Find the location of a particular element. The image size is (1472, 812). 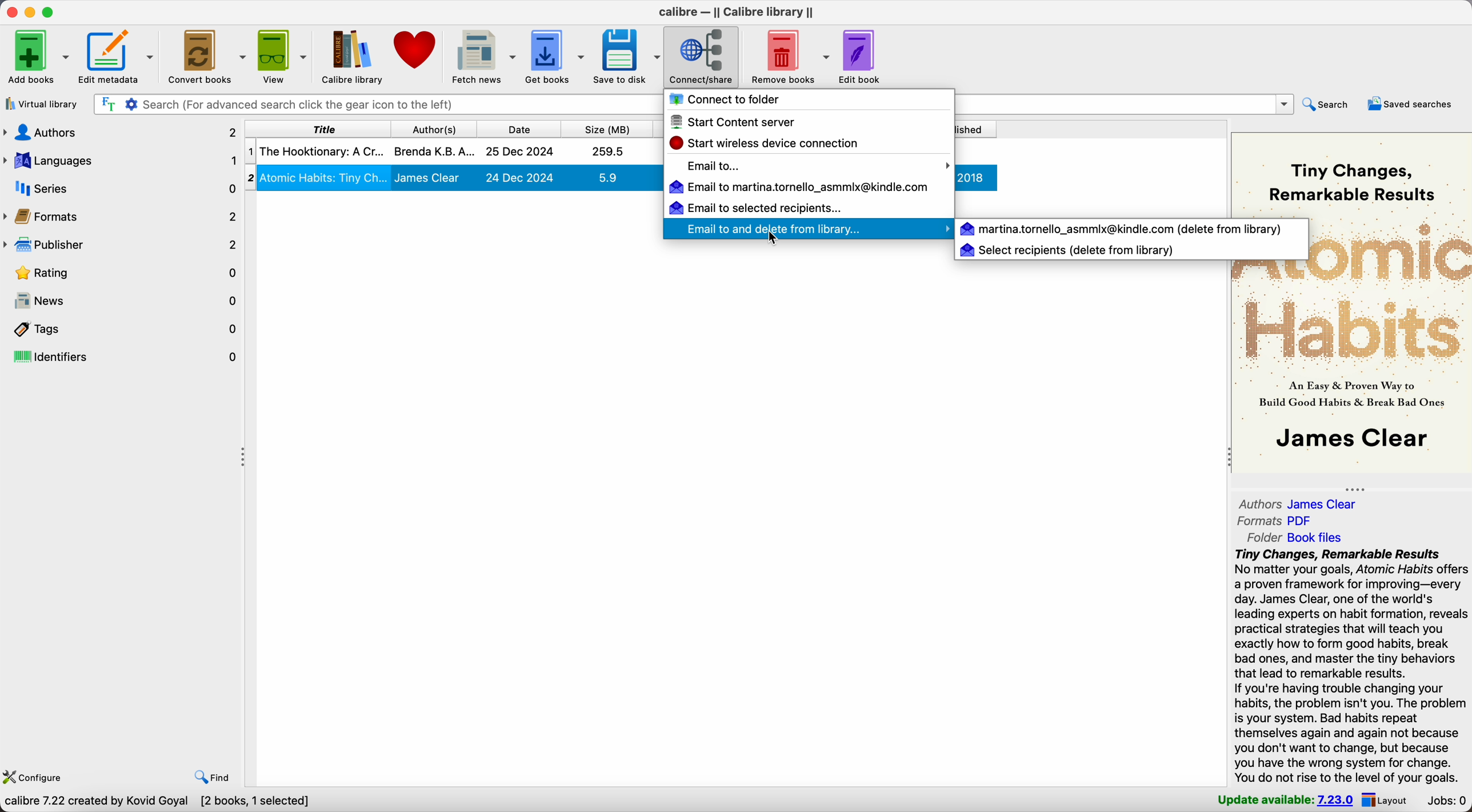

series is located at coordinates (121, 189).